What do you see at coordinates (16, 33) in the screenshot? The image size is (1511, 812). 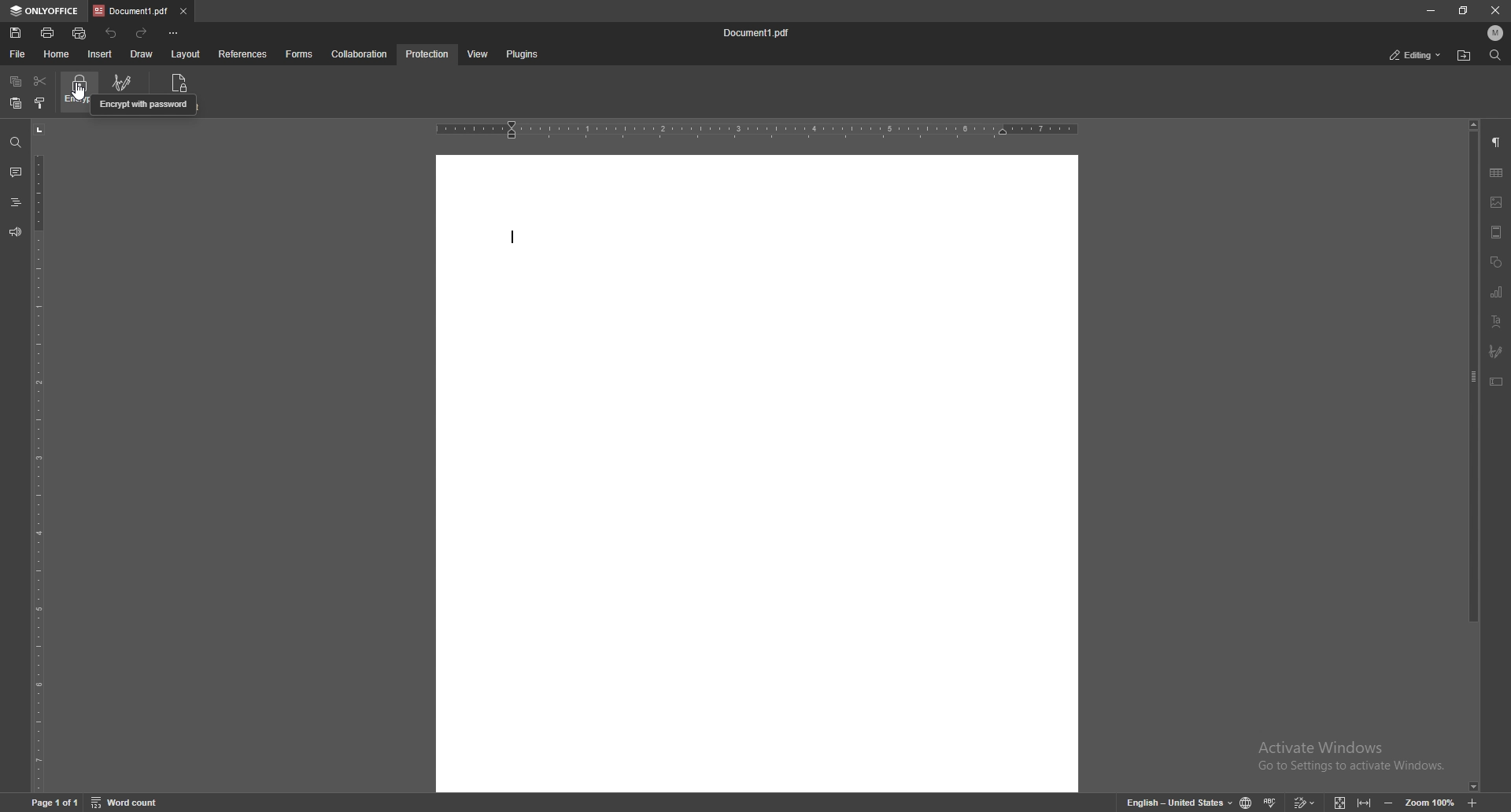 I see `save` at bounding box center [16, 33].